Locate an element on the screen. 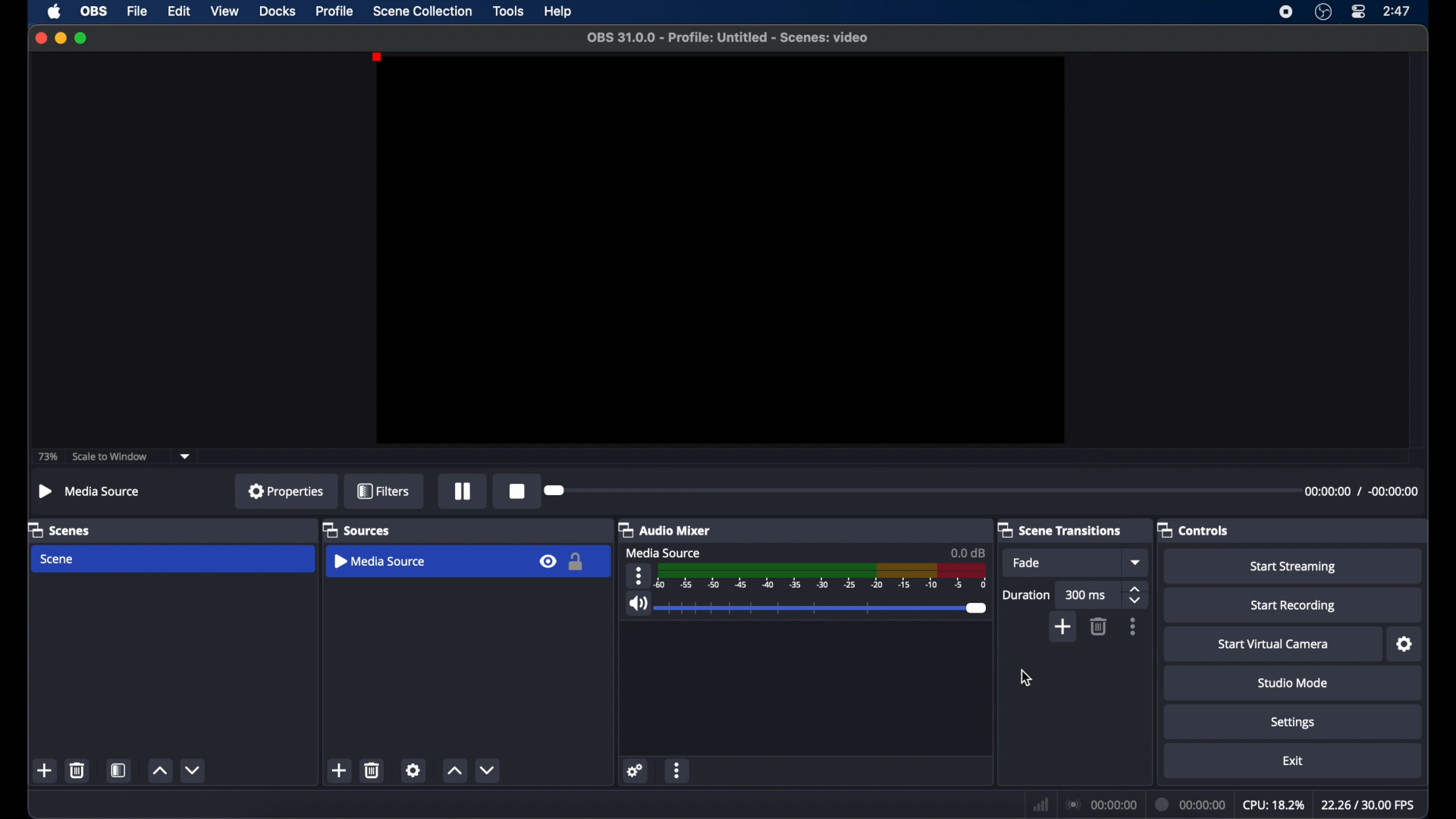 The width and height of the screenshot is (1456, 819). 0.0 is located at coordinates (968, 552).